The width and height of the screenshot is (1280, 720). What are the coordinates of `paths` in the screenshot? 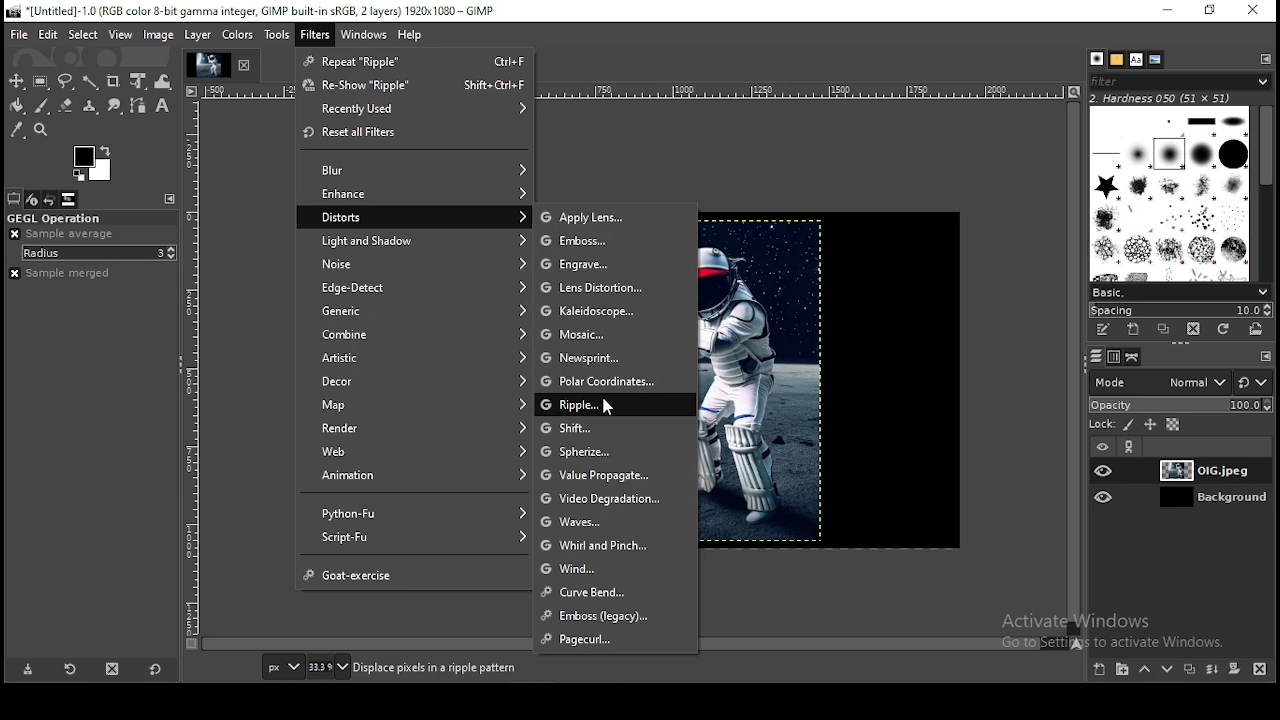 It's located at (1132, 357).